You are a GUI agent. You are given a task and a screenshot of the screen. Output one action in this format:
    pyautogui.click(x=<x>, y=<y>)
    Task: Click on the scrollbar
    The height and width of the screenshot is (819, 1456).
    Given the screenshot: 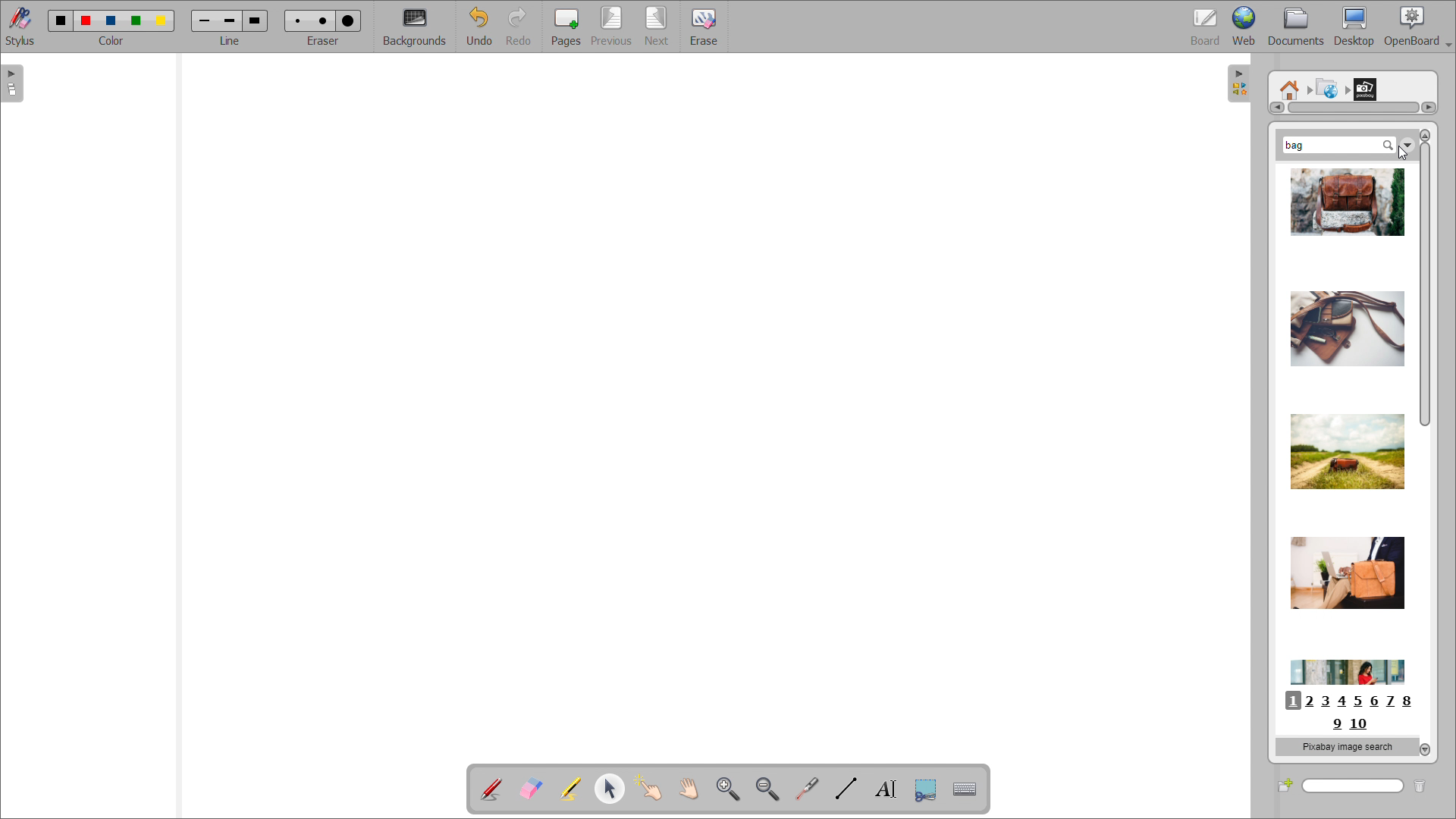 What is the action you would take?
    pyautogui.click(x=1354, y=108)
    